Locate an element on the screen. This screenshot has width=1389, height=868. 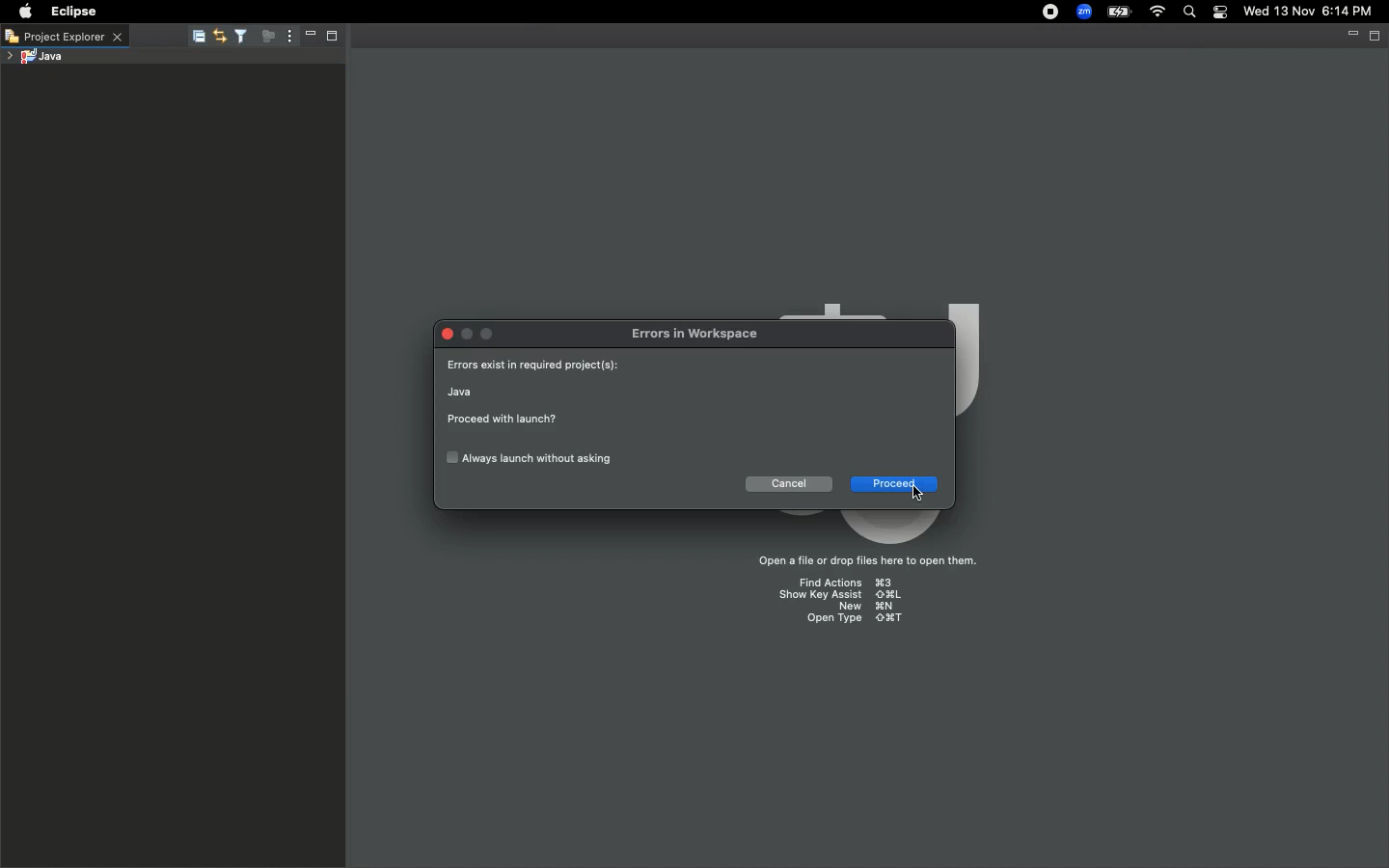
Java is located at coordinates (461, 392).